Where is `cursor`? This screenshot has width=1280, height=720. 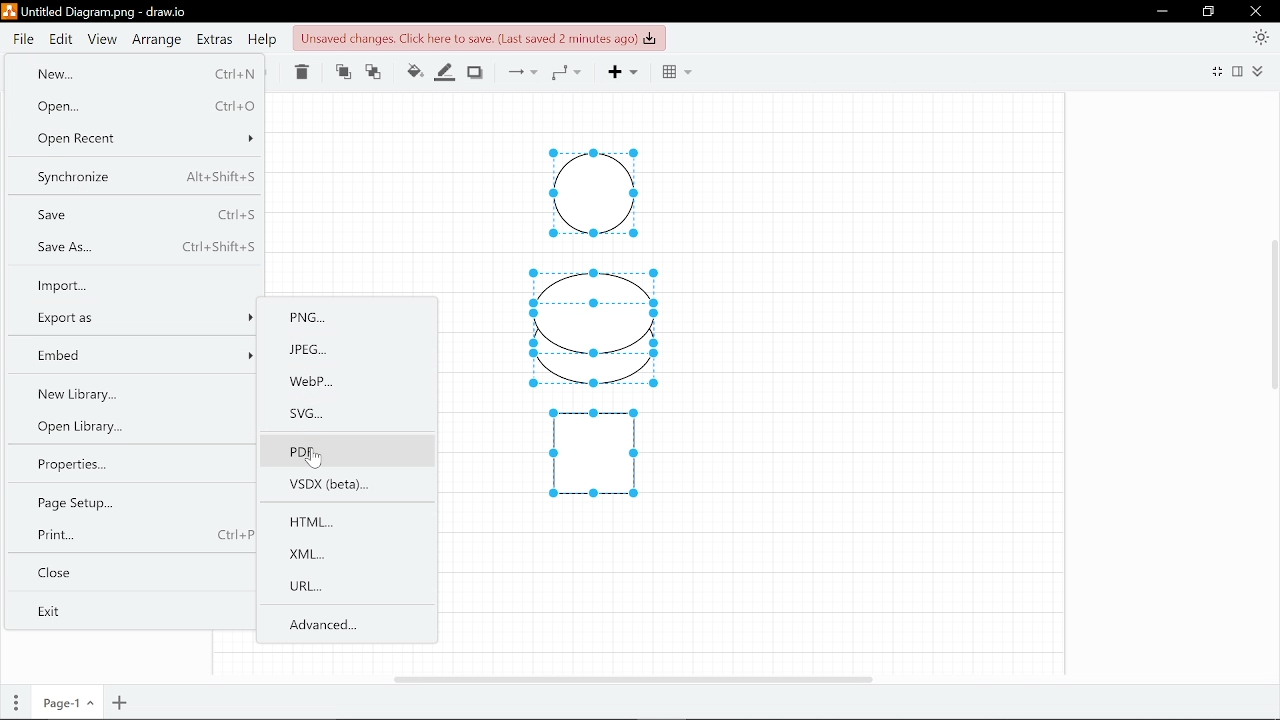 cursor is located at coordinates (314, 462).